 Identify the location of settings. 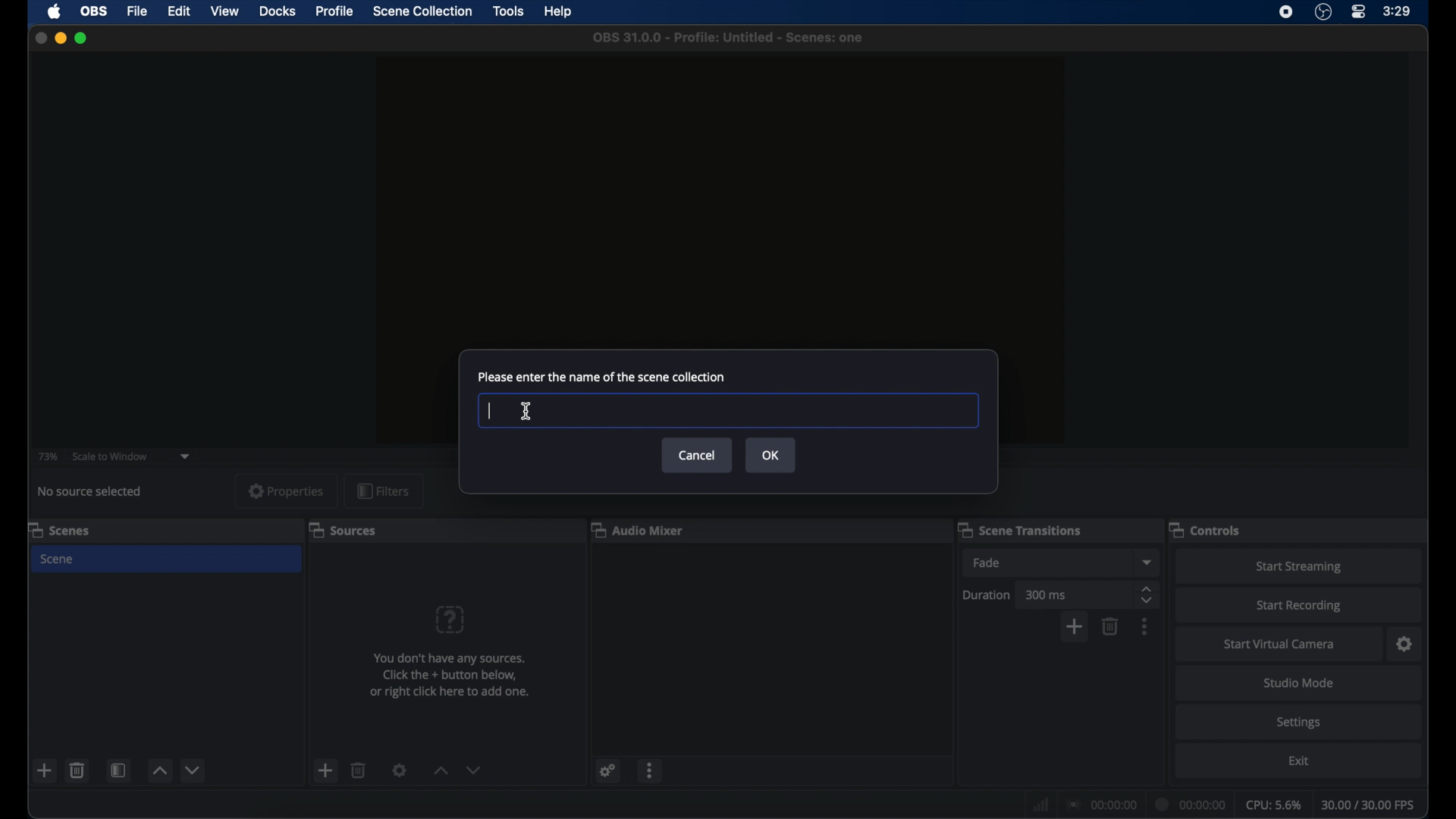
(1405, 644).